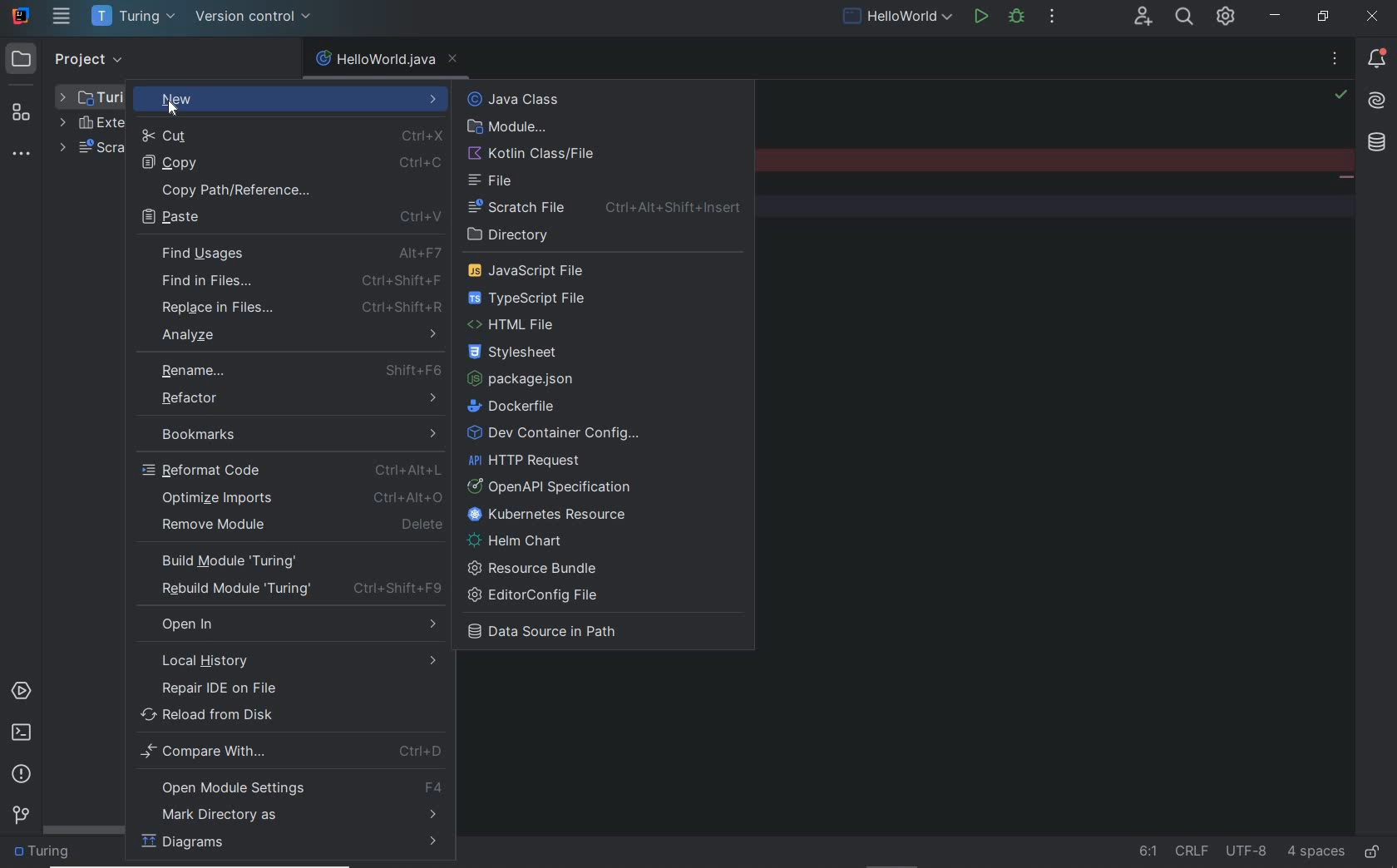 Image resolution: width=1397 pixels, height=868 pixels. Describe the element at coordinates (534, 269) in the screenshot. I see `JavaScript File` at that location.